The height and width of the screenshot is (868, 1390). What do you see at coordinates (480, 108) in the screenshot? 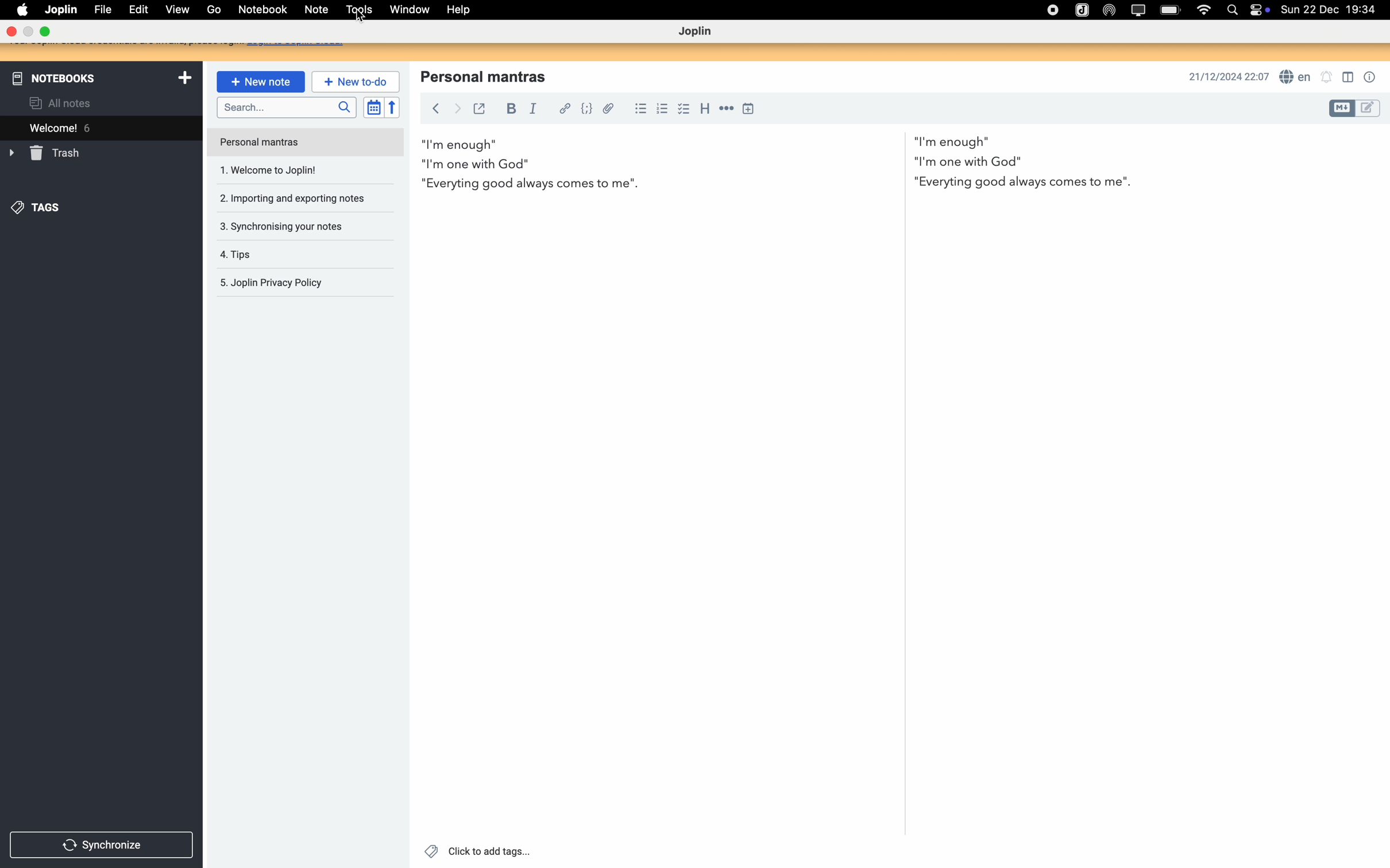
I see `toggle external editing` at bounding box center [480, 108].